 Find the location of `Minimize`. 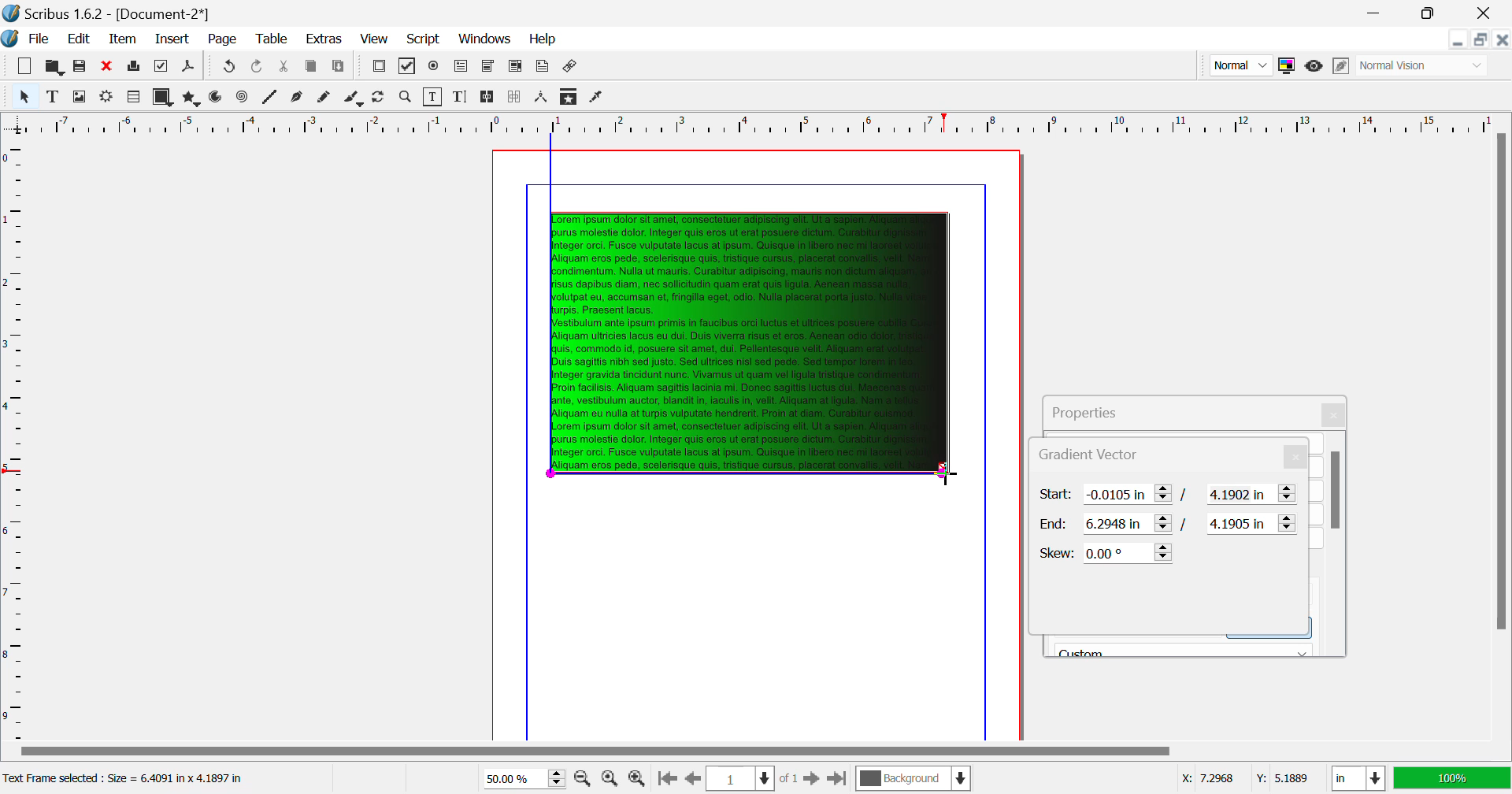

Minimize is located at coordinates (1432, 13).